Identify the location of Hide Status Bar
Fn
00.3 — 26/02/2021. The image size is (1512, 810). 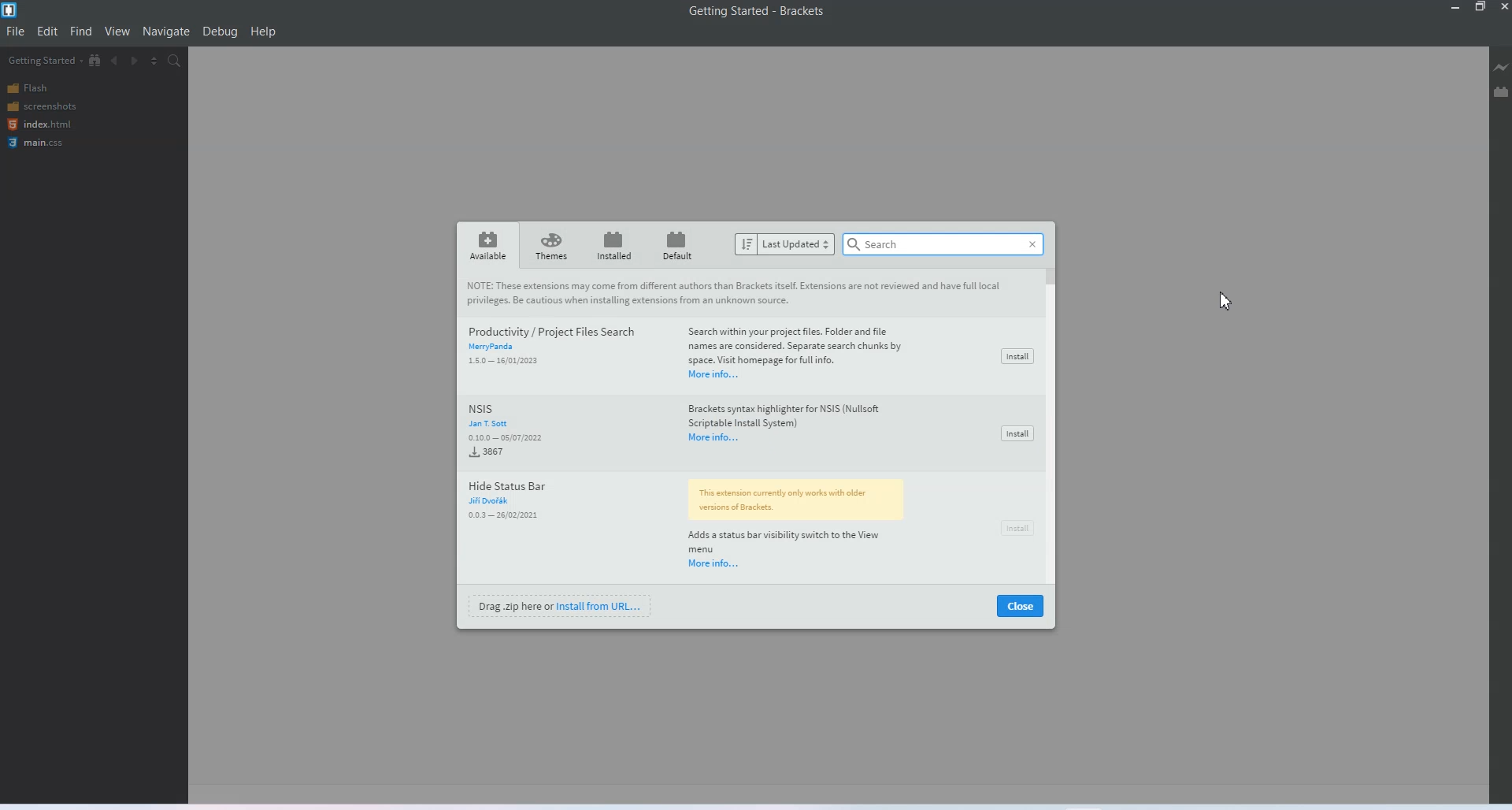
(507, 500).